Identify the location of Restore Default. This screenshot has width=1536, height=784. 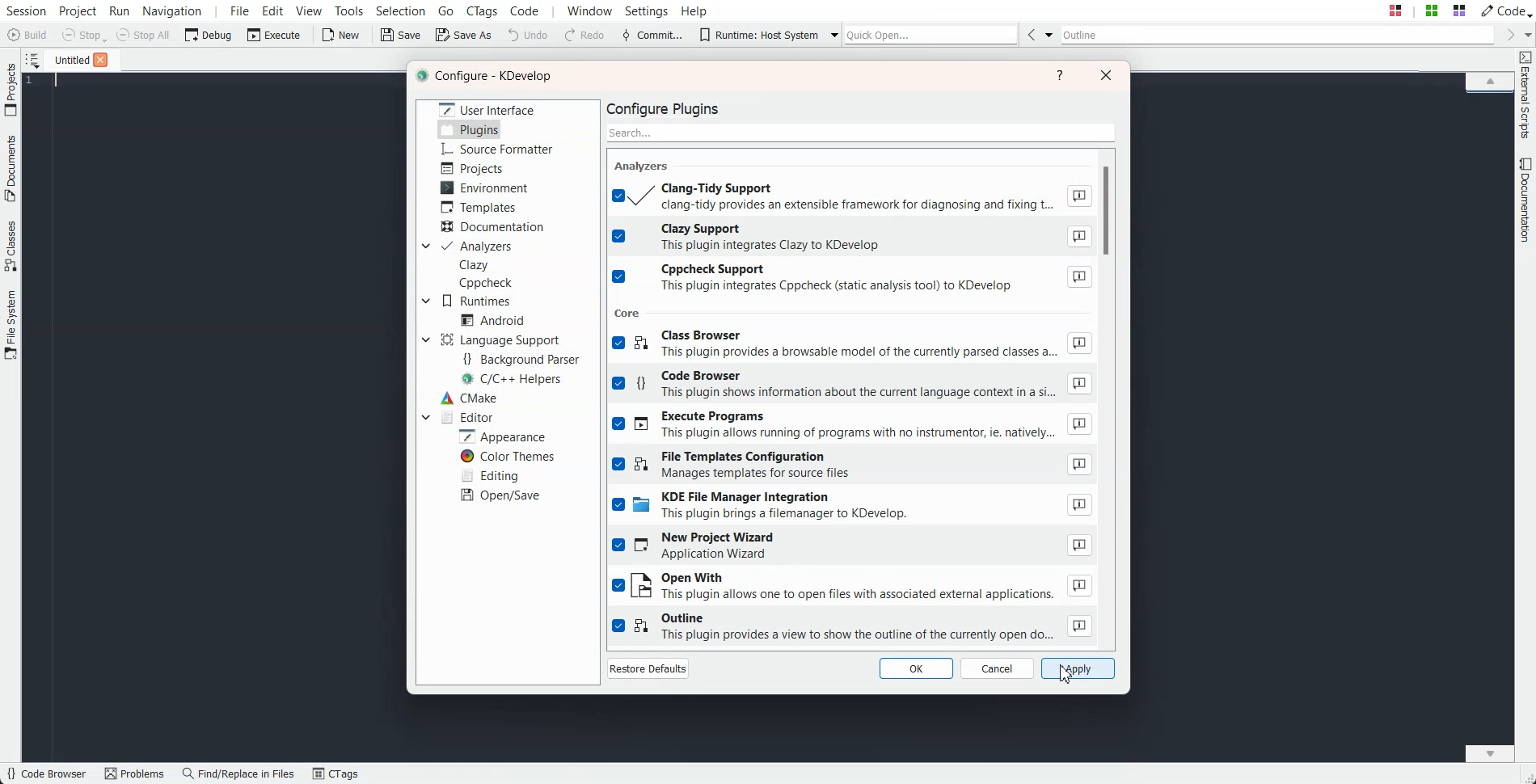
(648, 668).